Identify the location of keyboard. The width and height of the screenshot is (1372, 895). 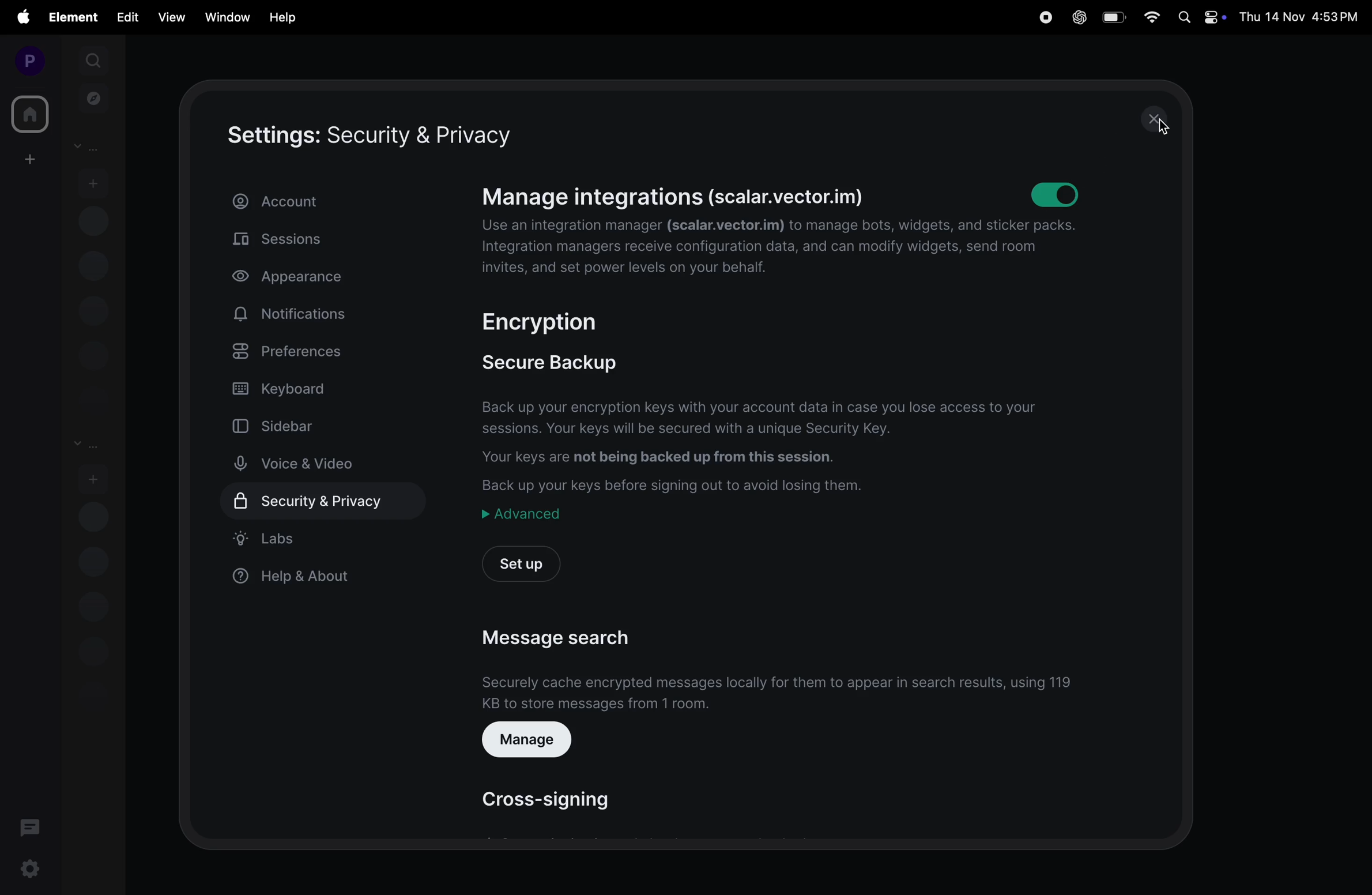
(278, 391).